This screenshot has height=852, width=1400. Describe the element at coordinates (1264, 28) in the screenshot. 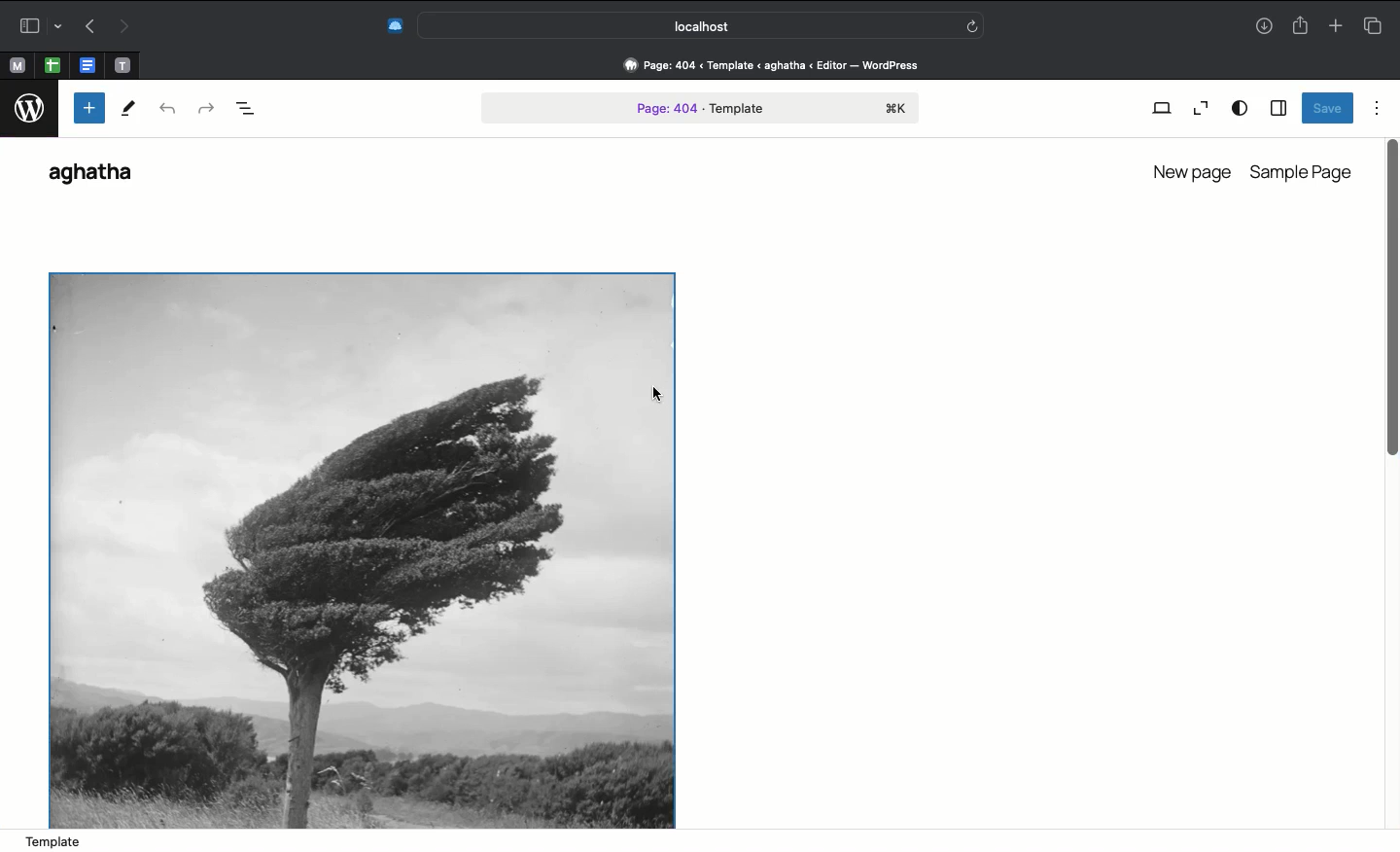

I see `Downlaods` at that location.